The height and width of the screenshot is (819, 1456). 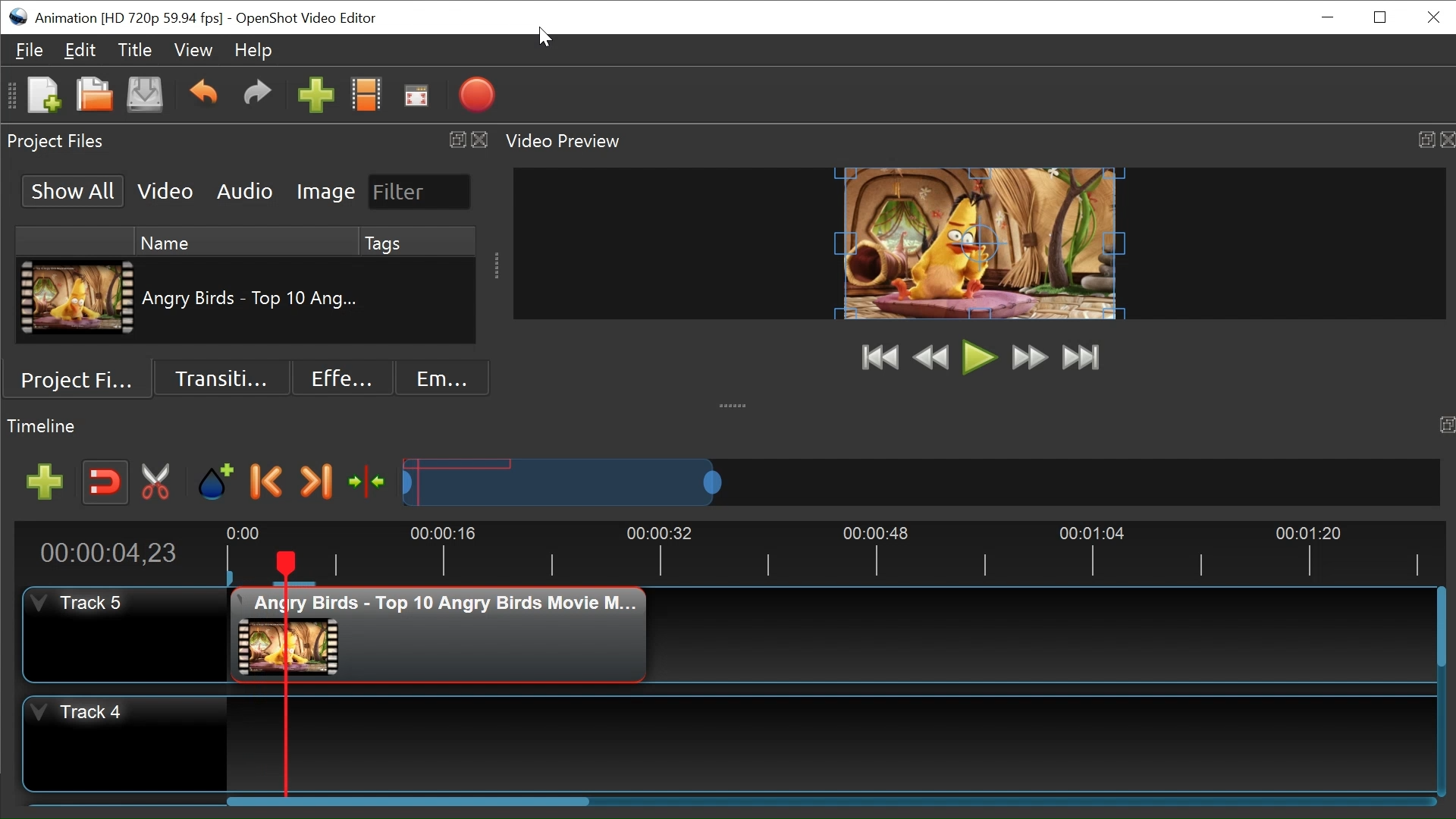 I want to click on Image, so click(x=327, y=191).